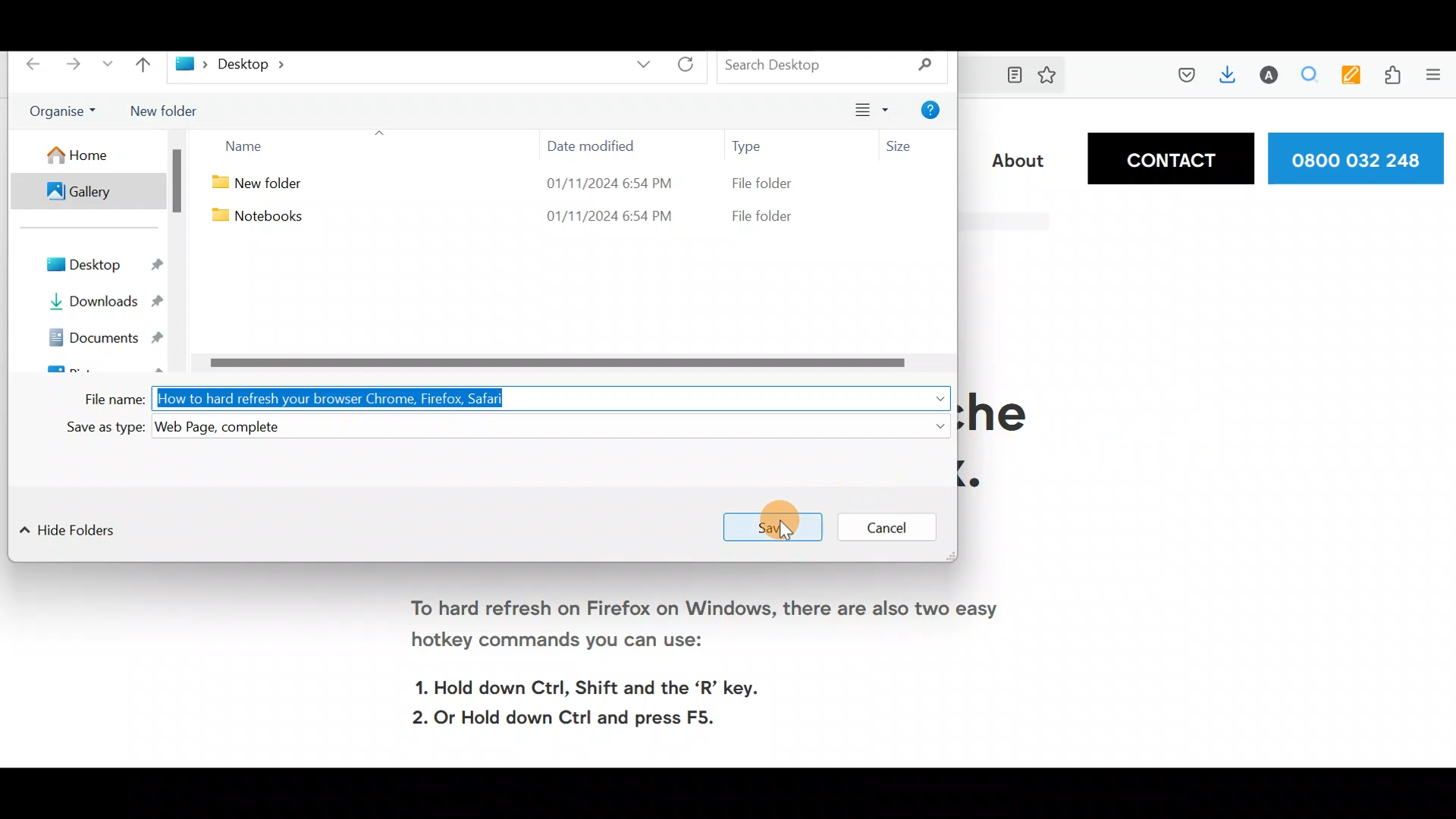  What do you see at coordinates (243, 428) in the screenshot?
I see `Web page, complete` at bounding box center [243, 428].